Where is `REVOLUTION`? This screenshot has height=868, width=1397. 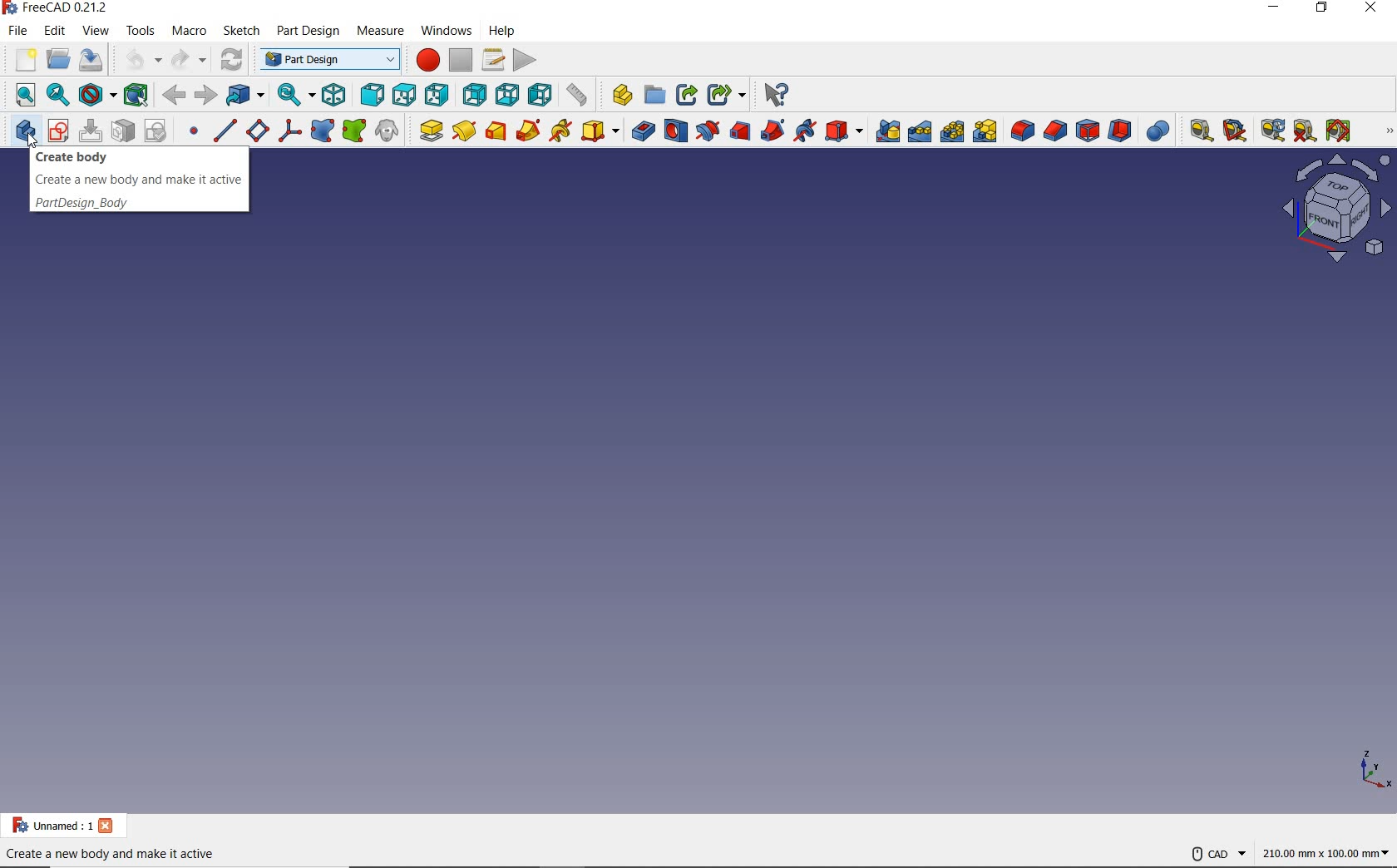 REVOLUTION is located at coordinates (464, 130).